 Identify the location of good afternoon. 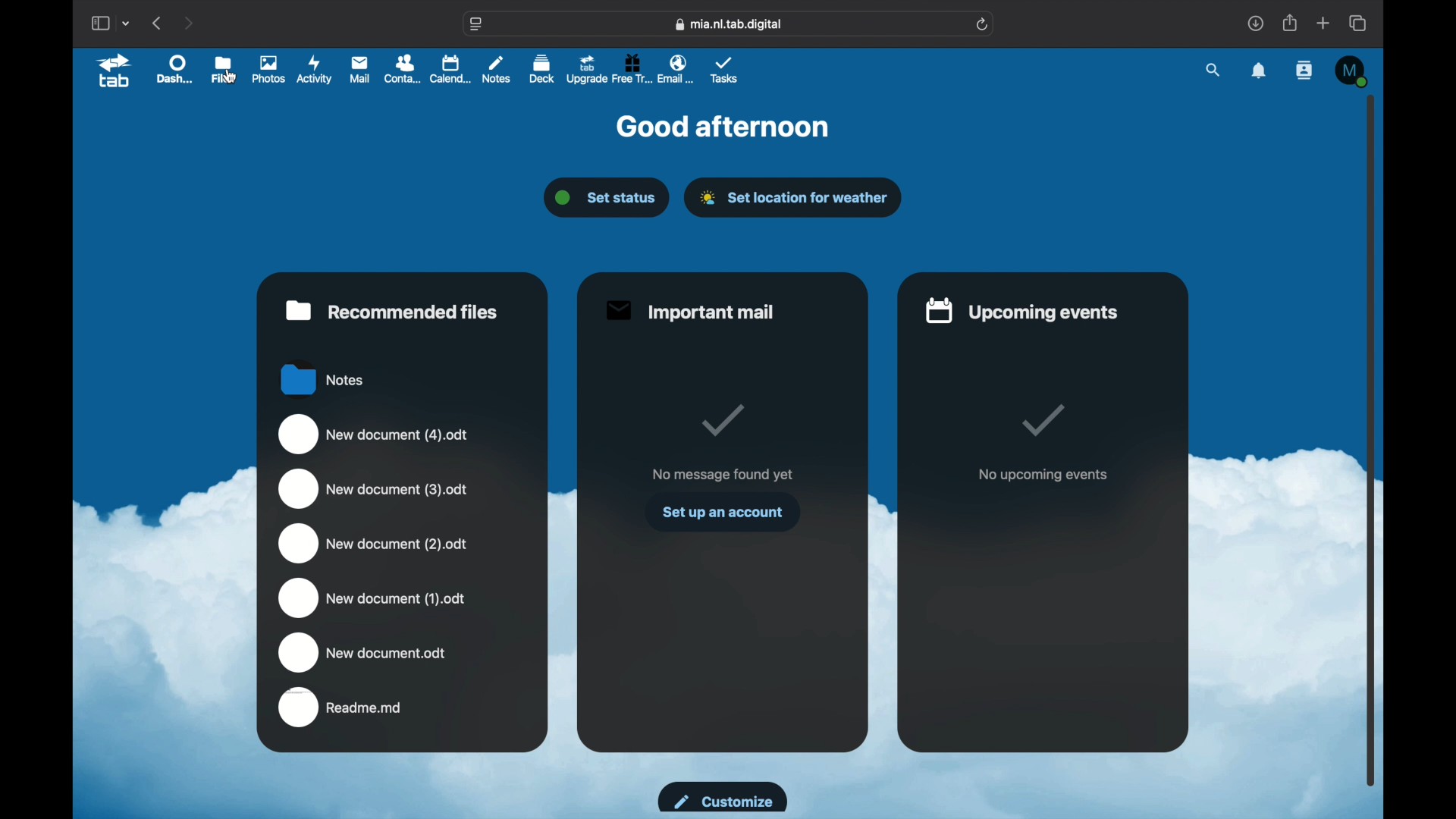
(723, 126).